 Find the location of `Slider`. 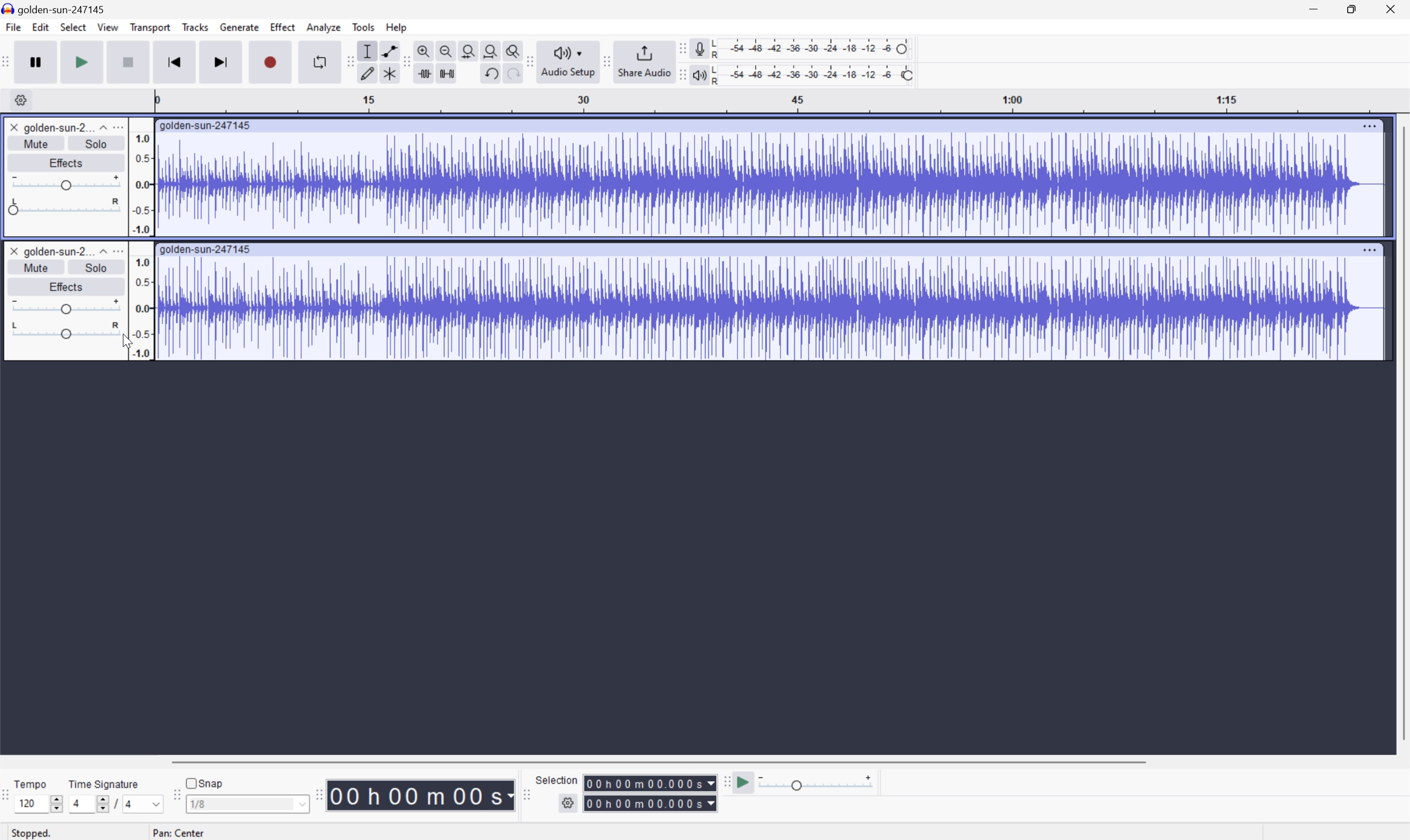

Slider is located at coordinates (54, 801).